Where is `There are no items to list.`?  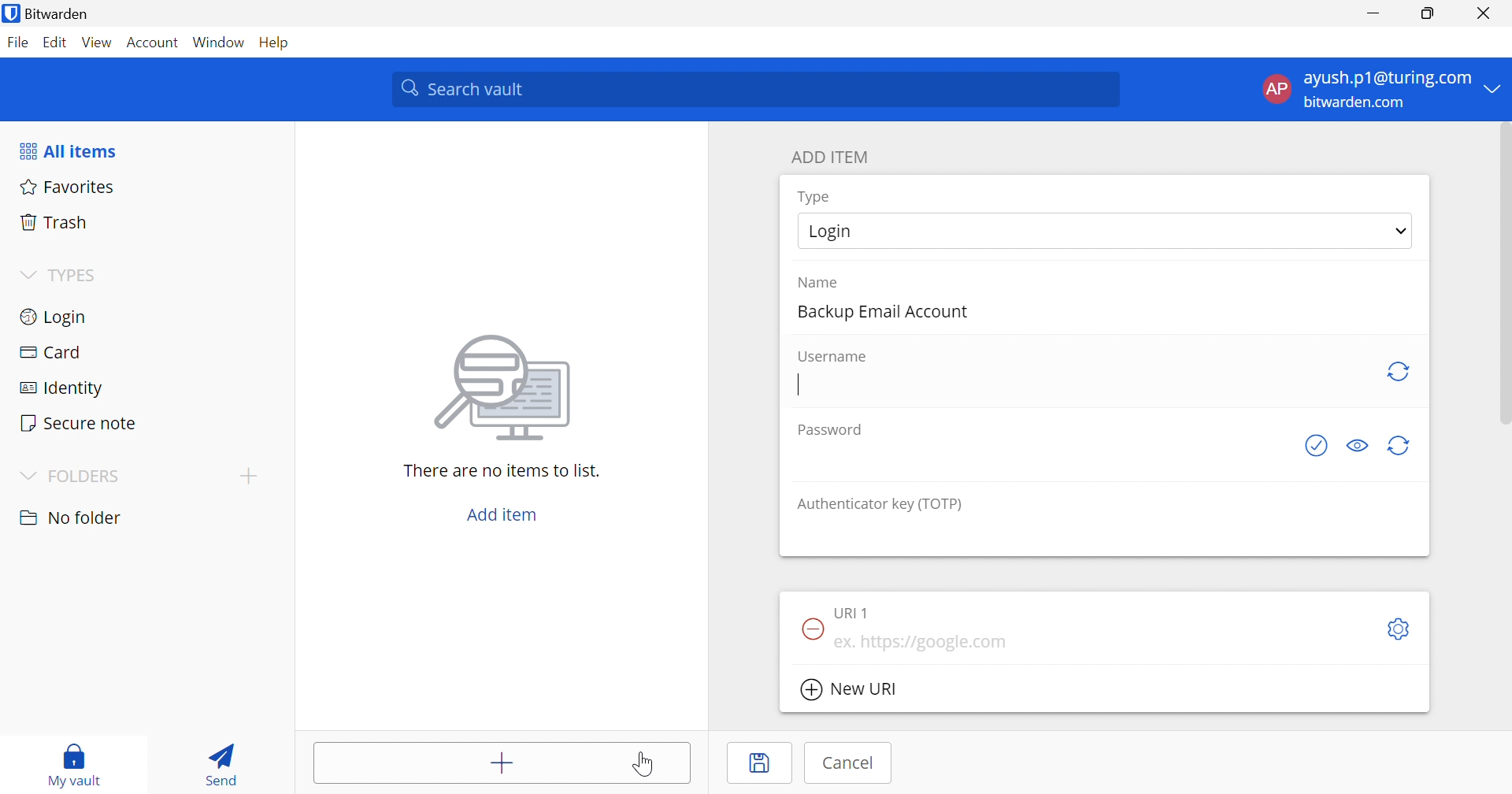
There are no items to list. is located at coordinates (502, 470).